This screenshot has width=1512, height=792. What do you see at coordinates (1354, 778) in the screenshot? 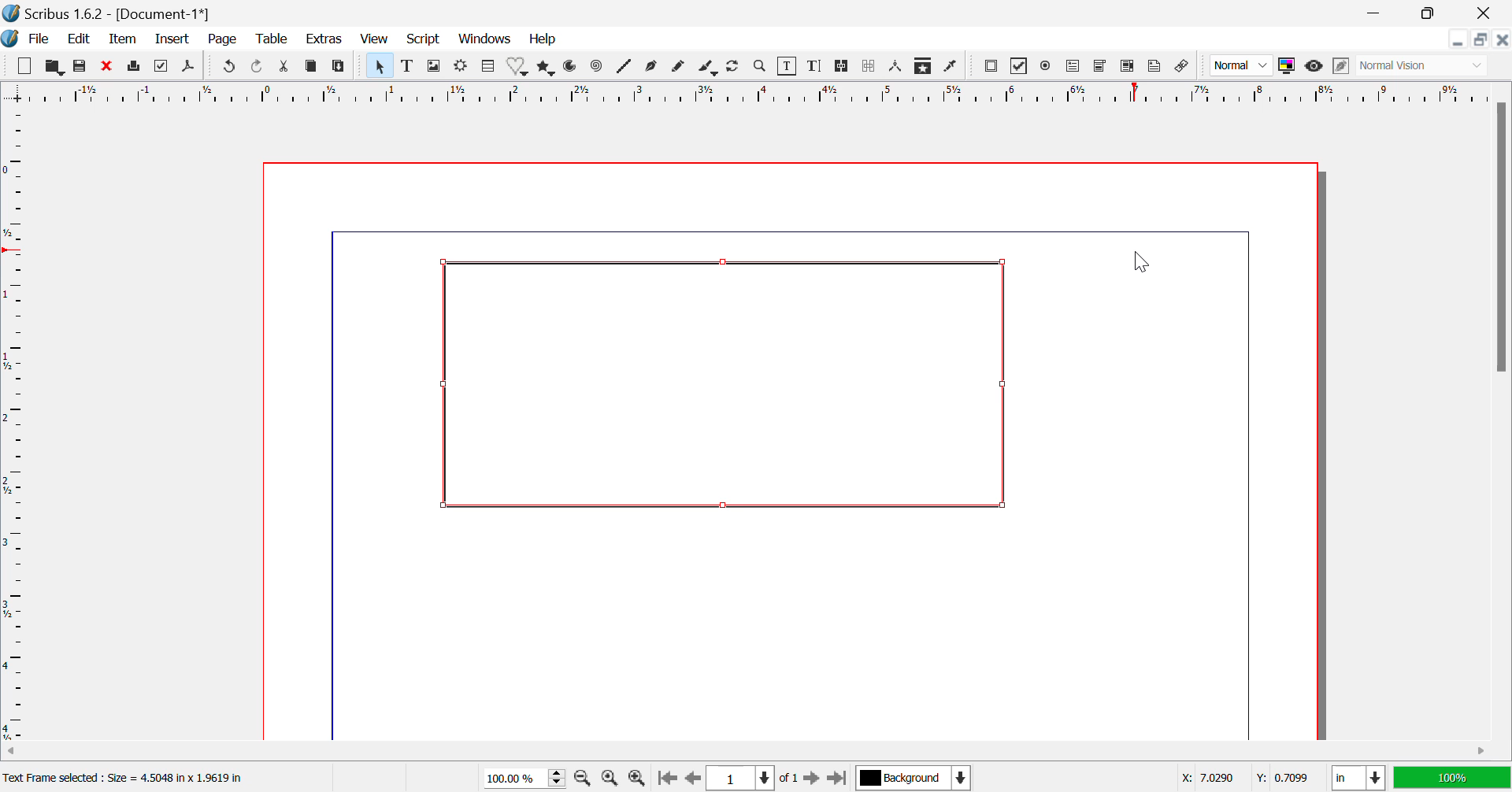
I see `in` at bounding box center [1354, 778].